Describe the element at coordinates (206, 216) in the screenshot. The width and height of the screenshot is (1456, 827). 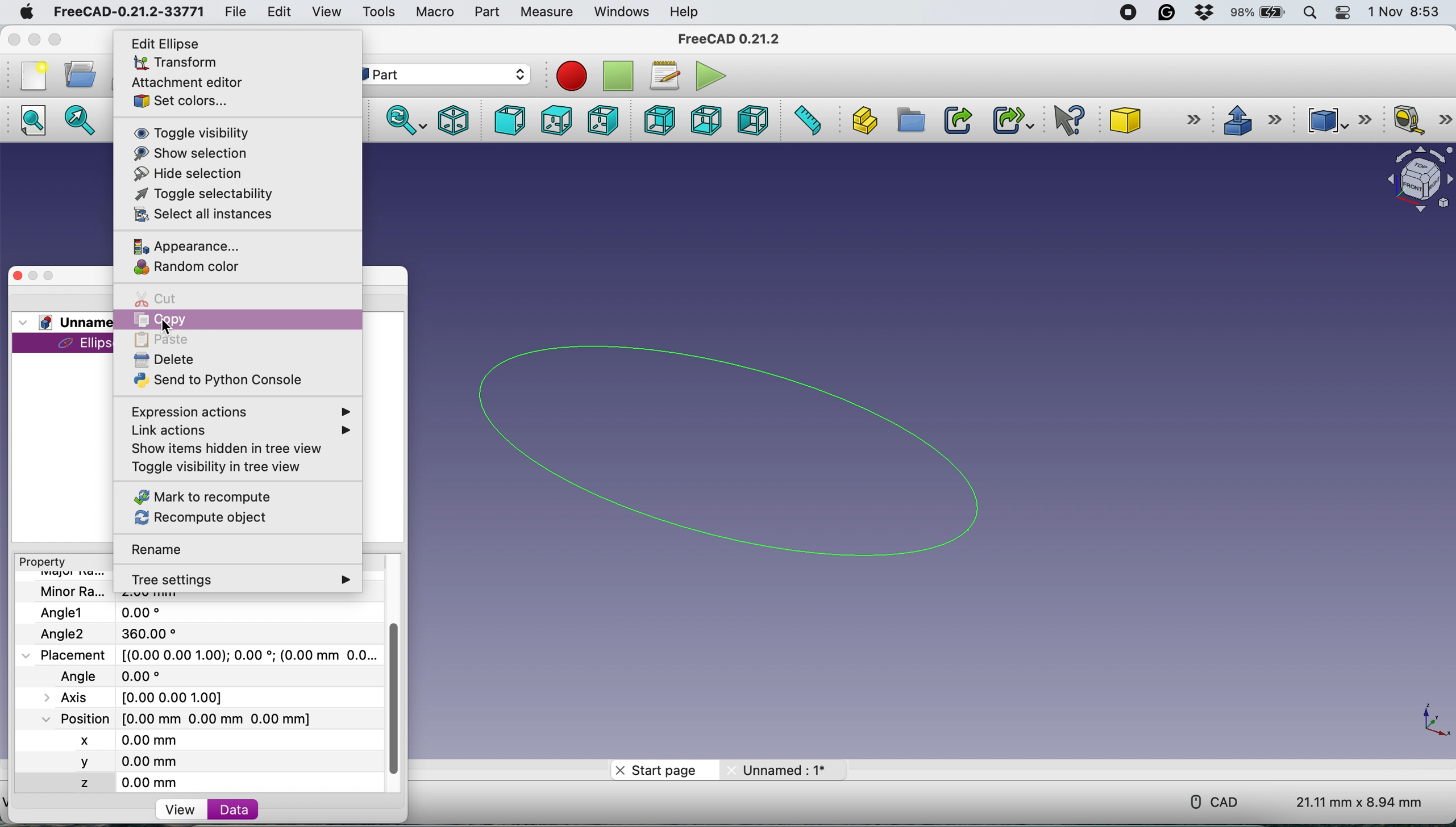
I see `select all instances` at that location.